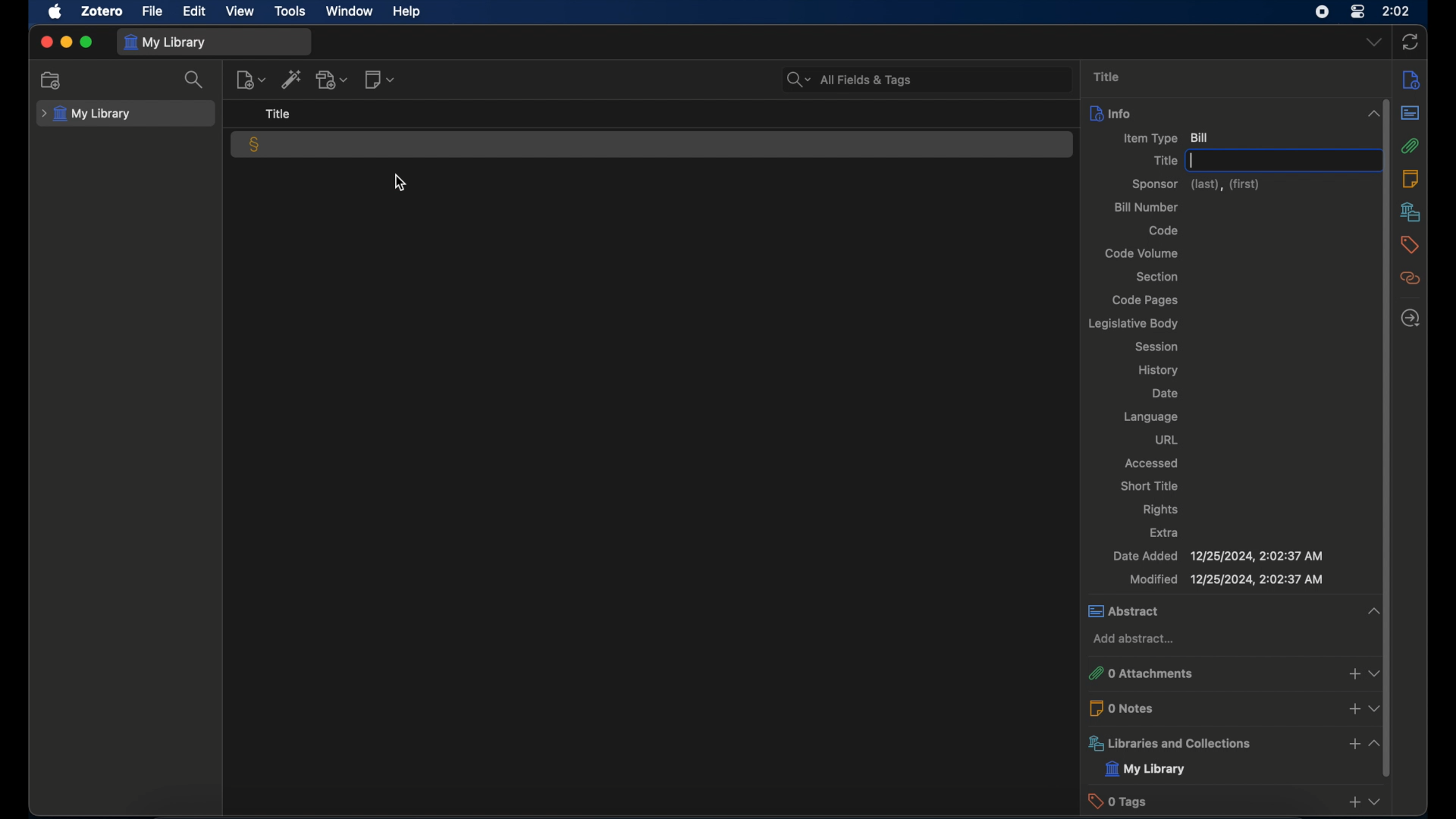 The height and width of the screenshot is (819, 1456). Describe the element at coordinates (406, 12) in the screenshot. I see `help` at that location.